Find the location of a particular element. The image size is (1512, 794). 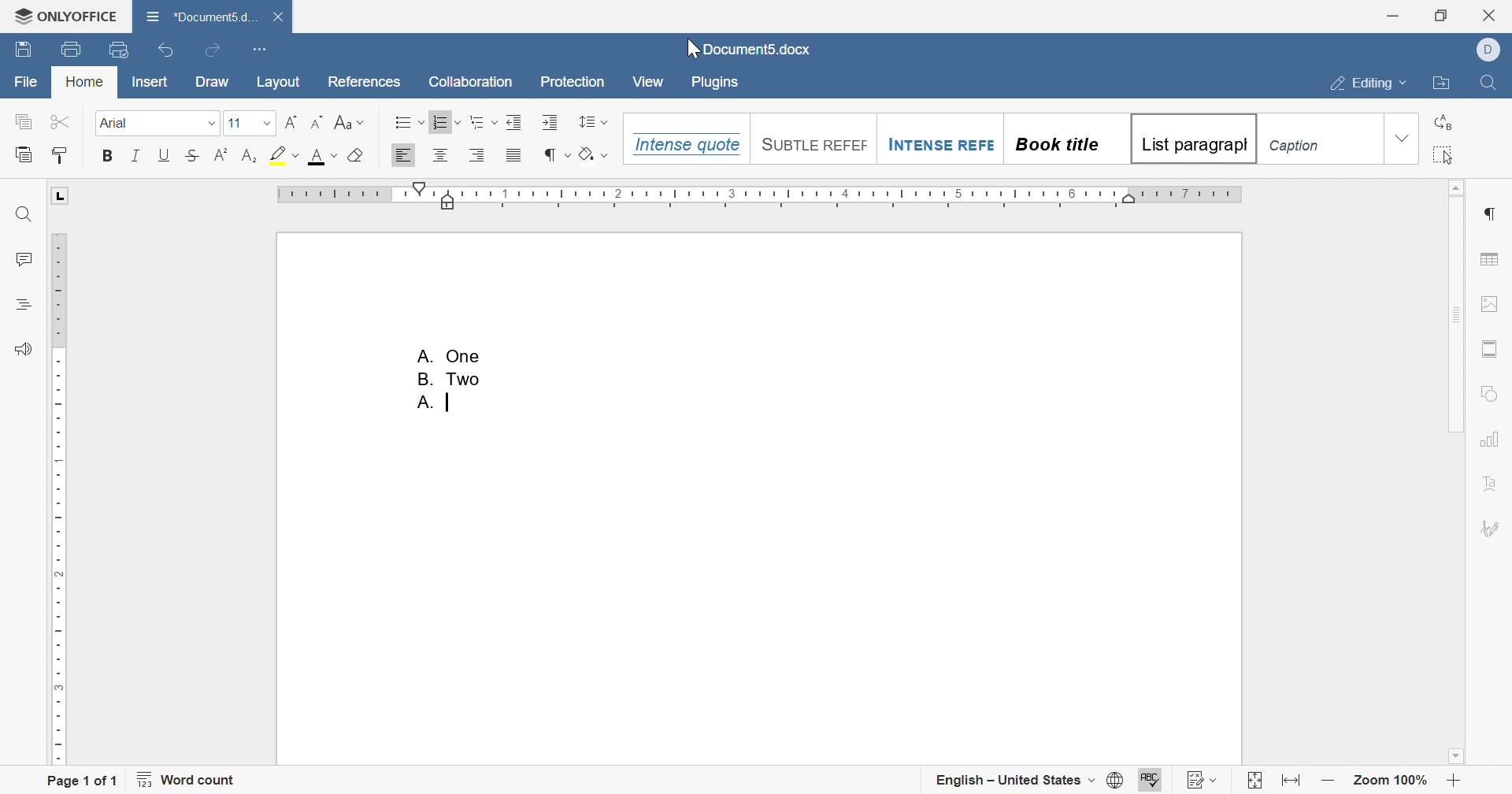

Collaboration is located at coordinates (472, 81).